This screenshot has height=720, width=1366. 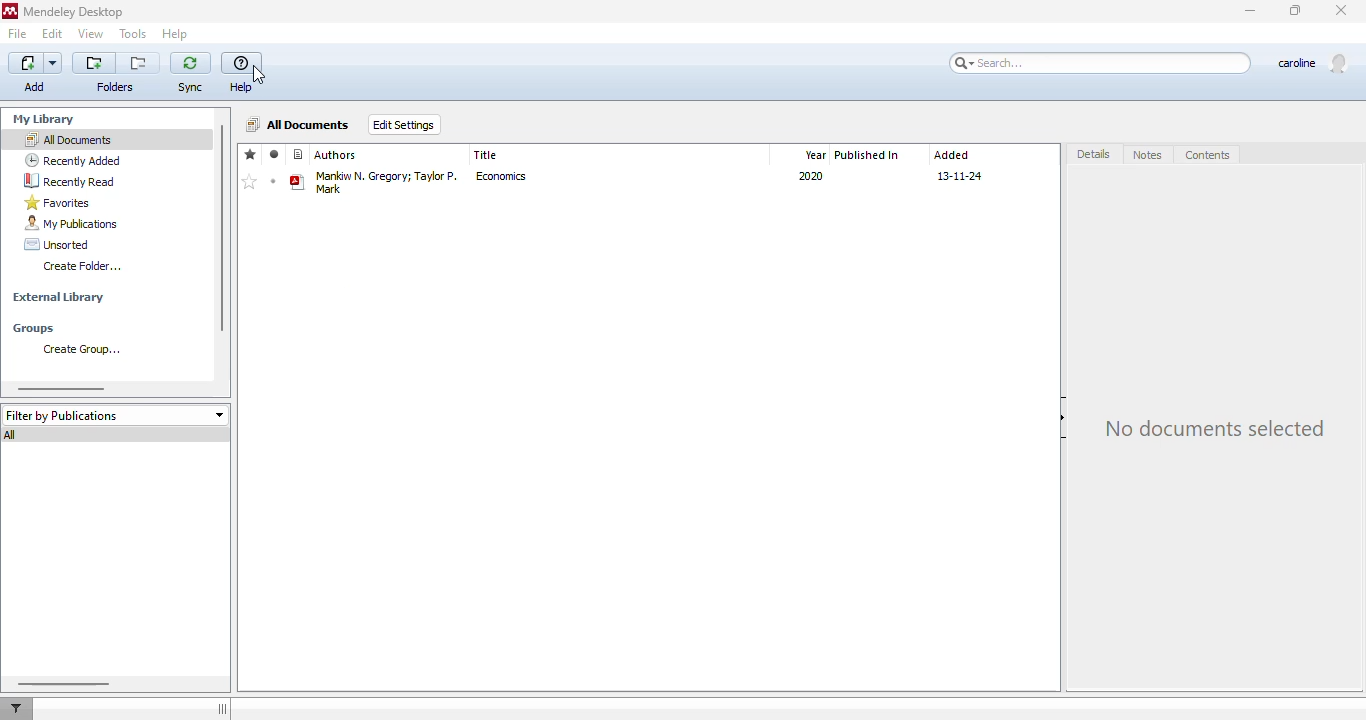 I want to click on mark as favorites, so click(x=248, y=182).